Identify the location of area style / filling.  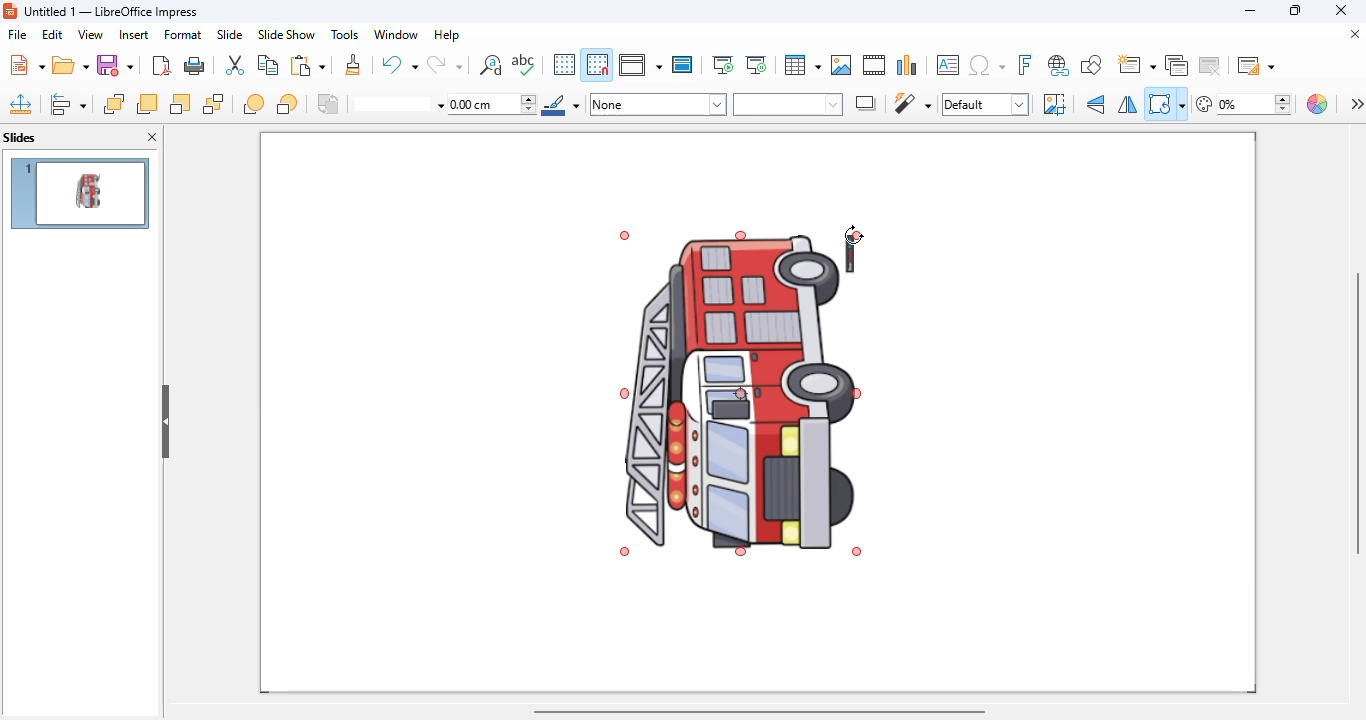
(788, 104).